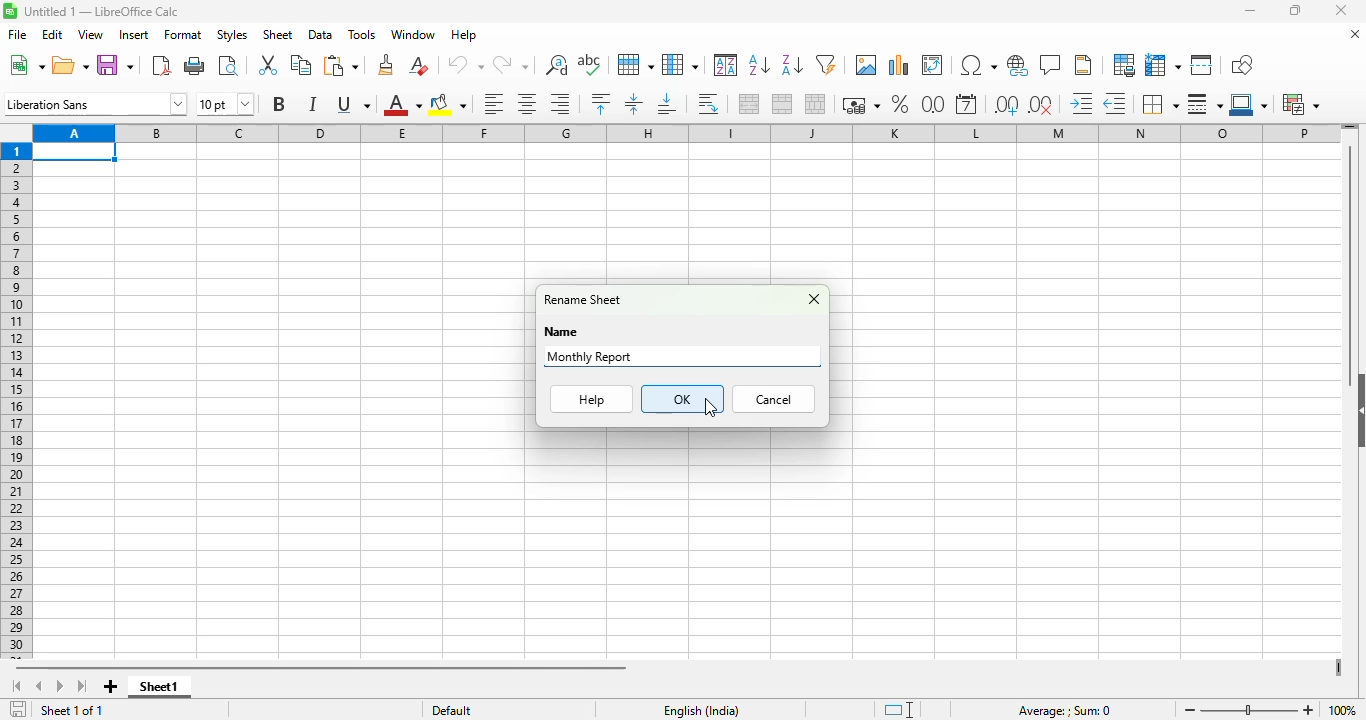  What do you see at coordinates (232, 34) in the screenshot?
I see `styles` at bounding box center [232, 34].